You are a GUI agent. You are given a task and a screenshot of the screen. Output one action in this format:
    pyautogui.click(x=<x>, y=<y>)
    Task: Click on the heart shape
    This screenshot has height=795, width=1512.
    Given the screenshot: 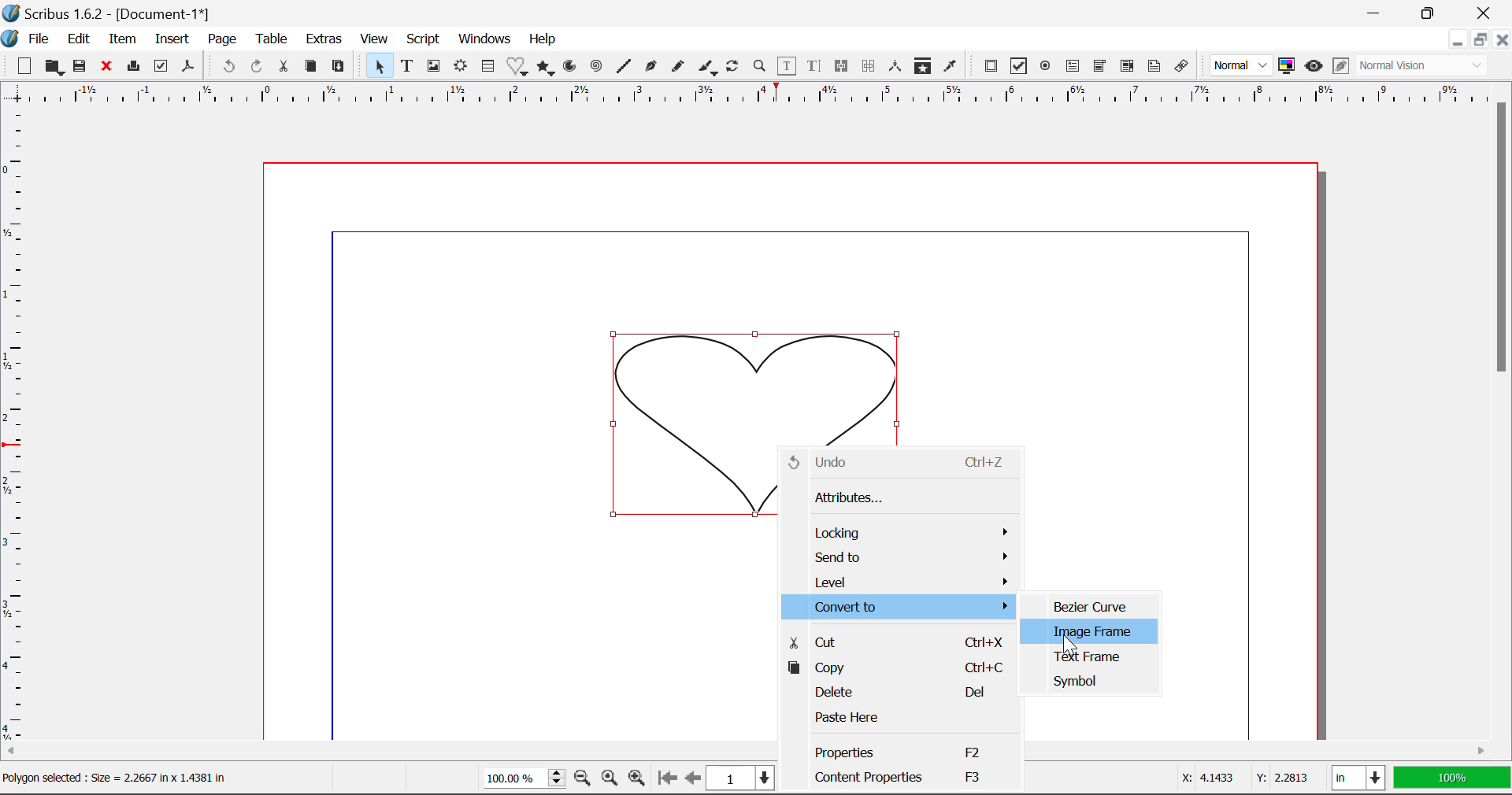 What is the action you would take?
    pyautogui.click(x=757, y=382)
    